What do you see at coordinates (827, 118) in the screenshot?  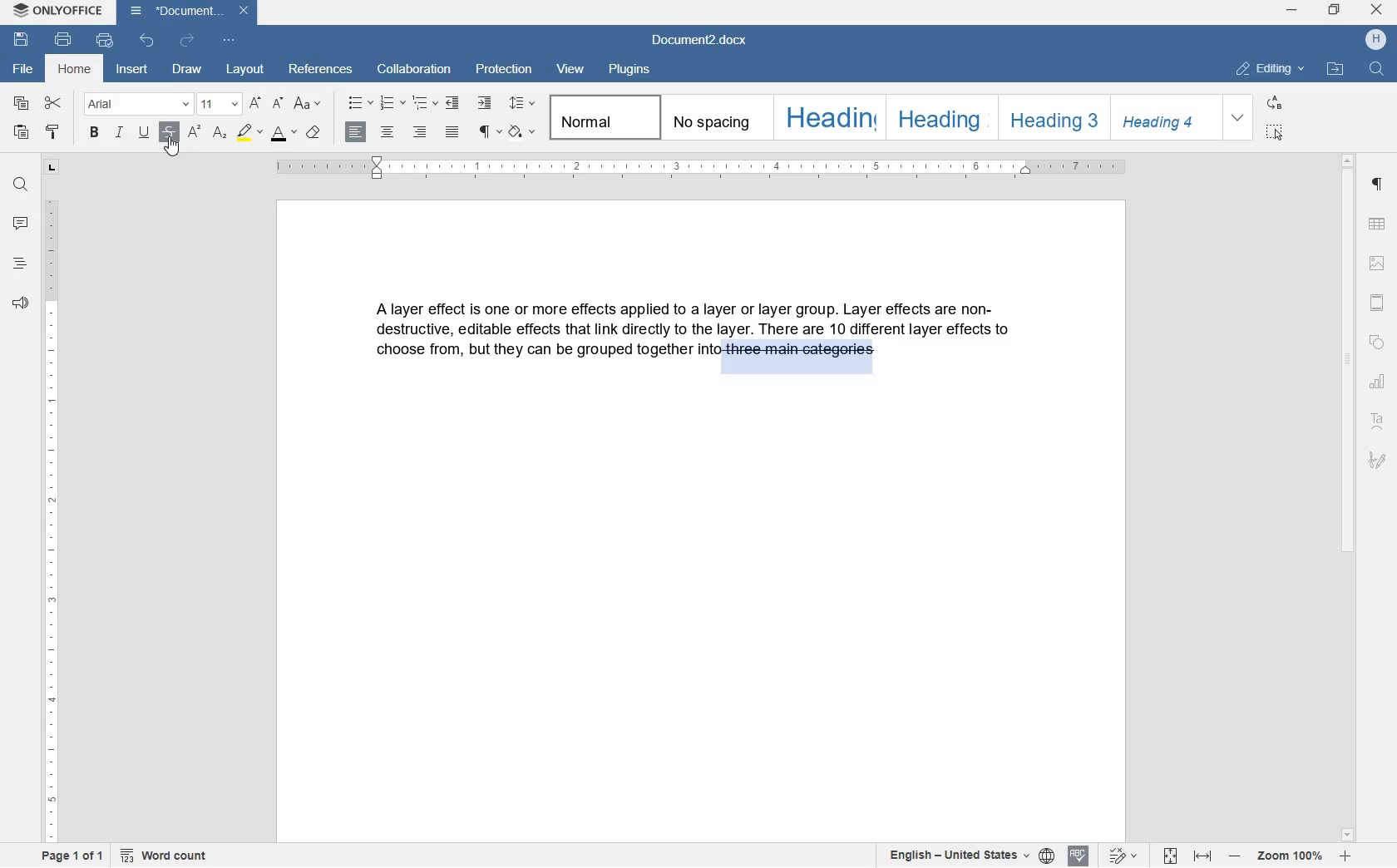 I see `heading 1` at bounding box center [827, 118].